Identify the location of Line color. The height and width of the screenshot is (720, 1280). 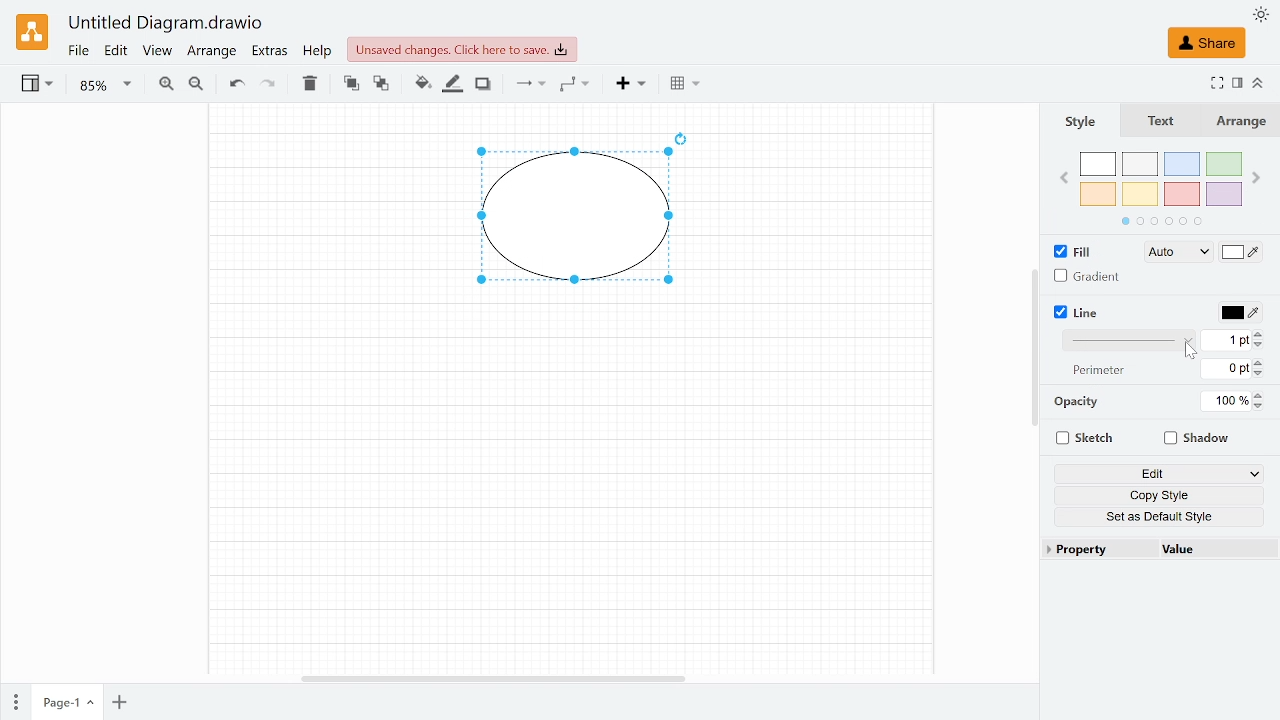
(1241, 314).